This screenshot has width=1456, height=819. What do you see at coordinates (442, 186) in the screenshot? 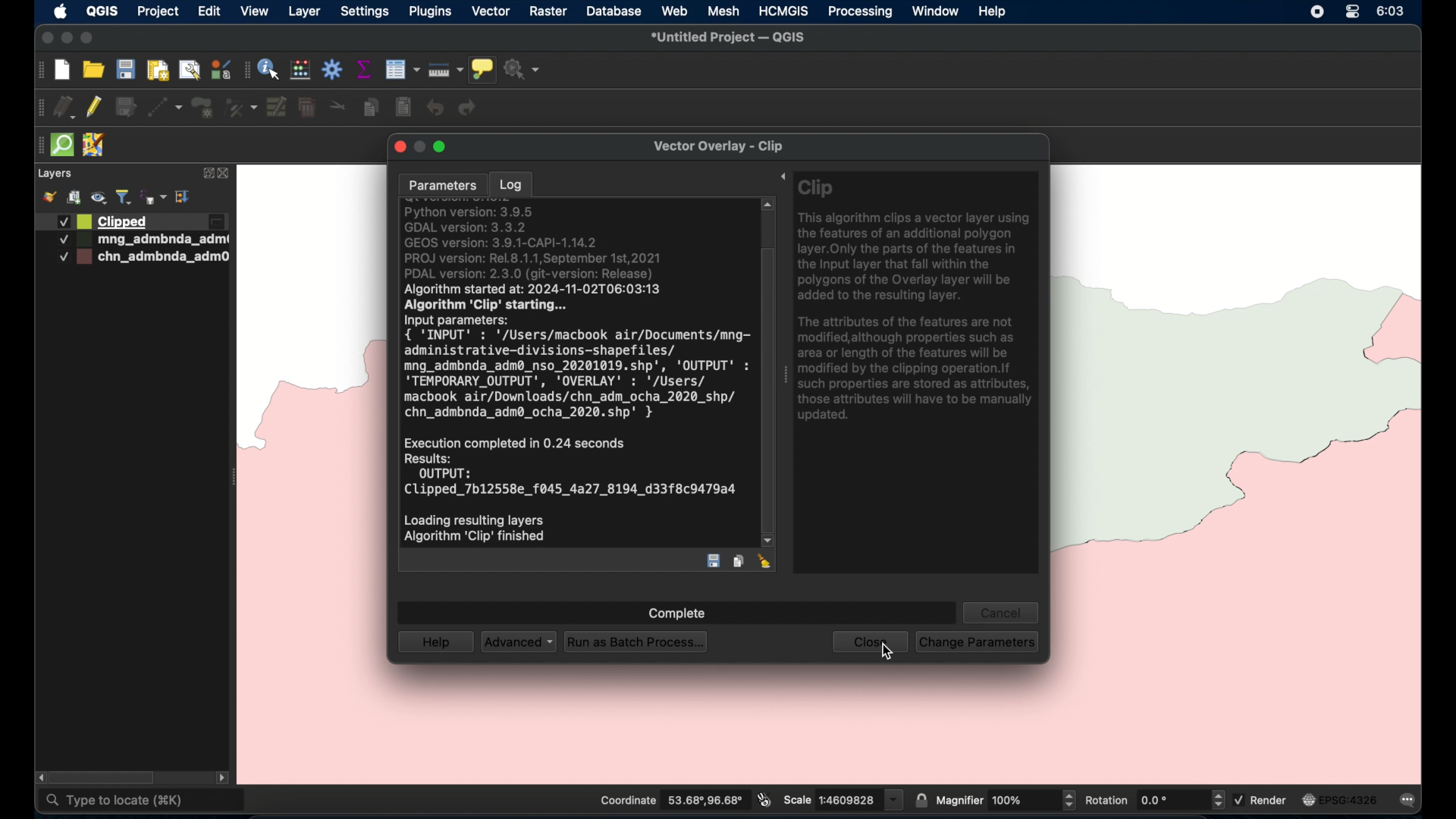
I see `parameters` at bounding box center [442, 186].